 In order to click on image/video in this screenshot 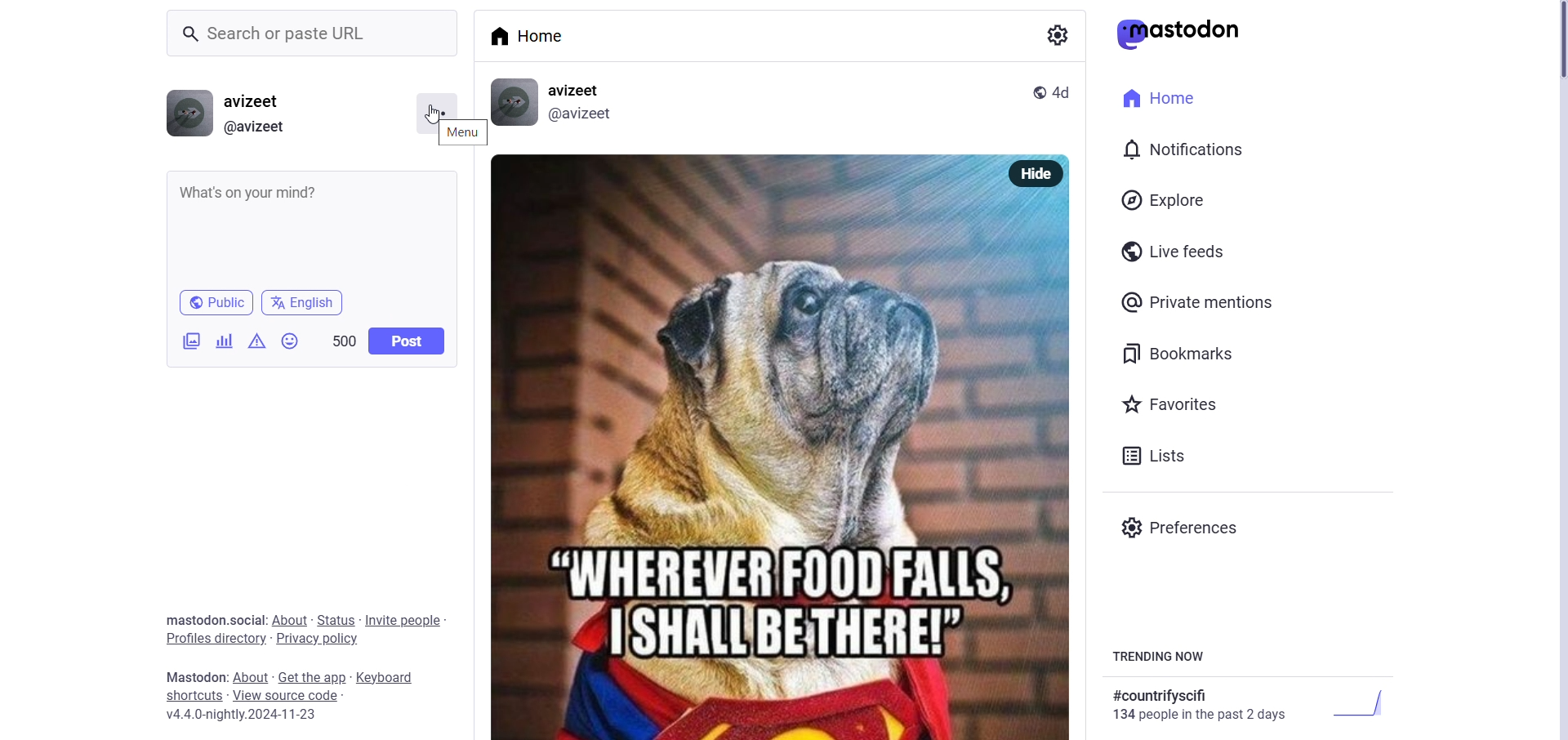, I will do `click(191, 341)`.